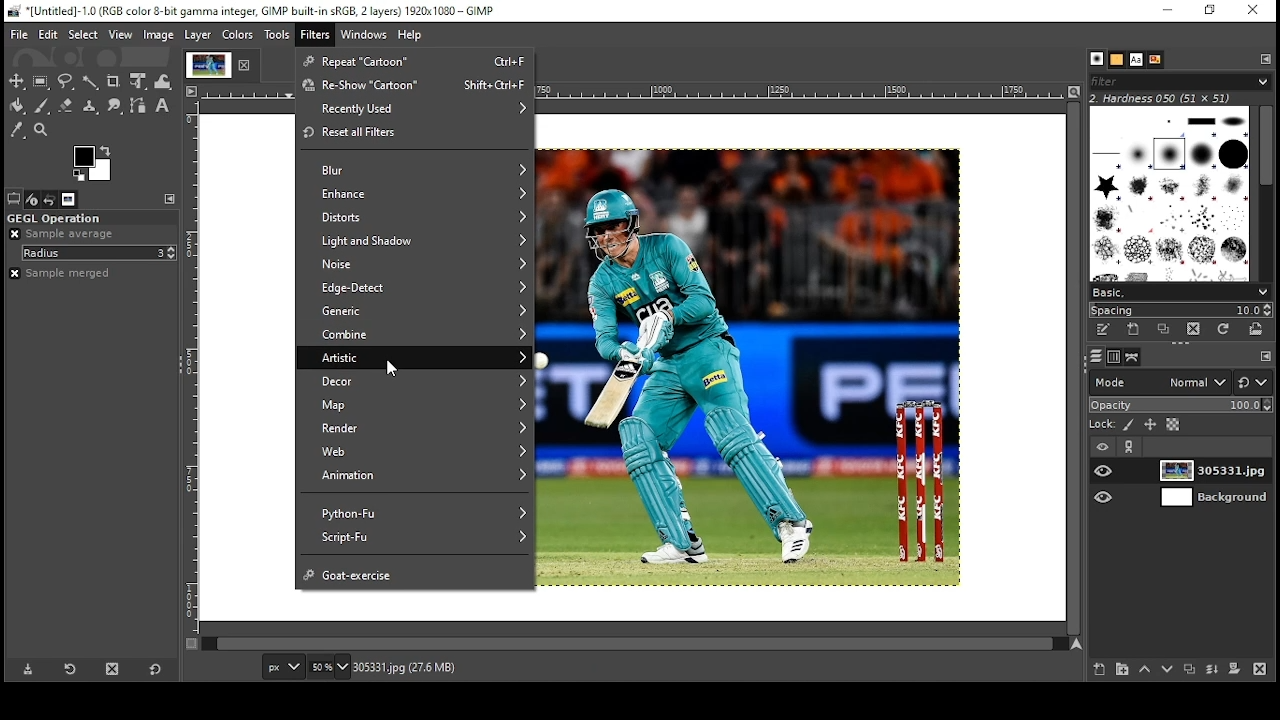  Describe the element at coordinates (330, 667) in the screenshot. I see `zoom level` at that location.